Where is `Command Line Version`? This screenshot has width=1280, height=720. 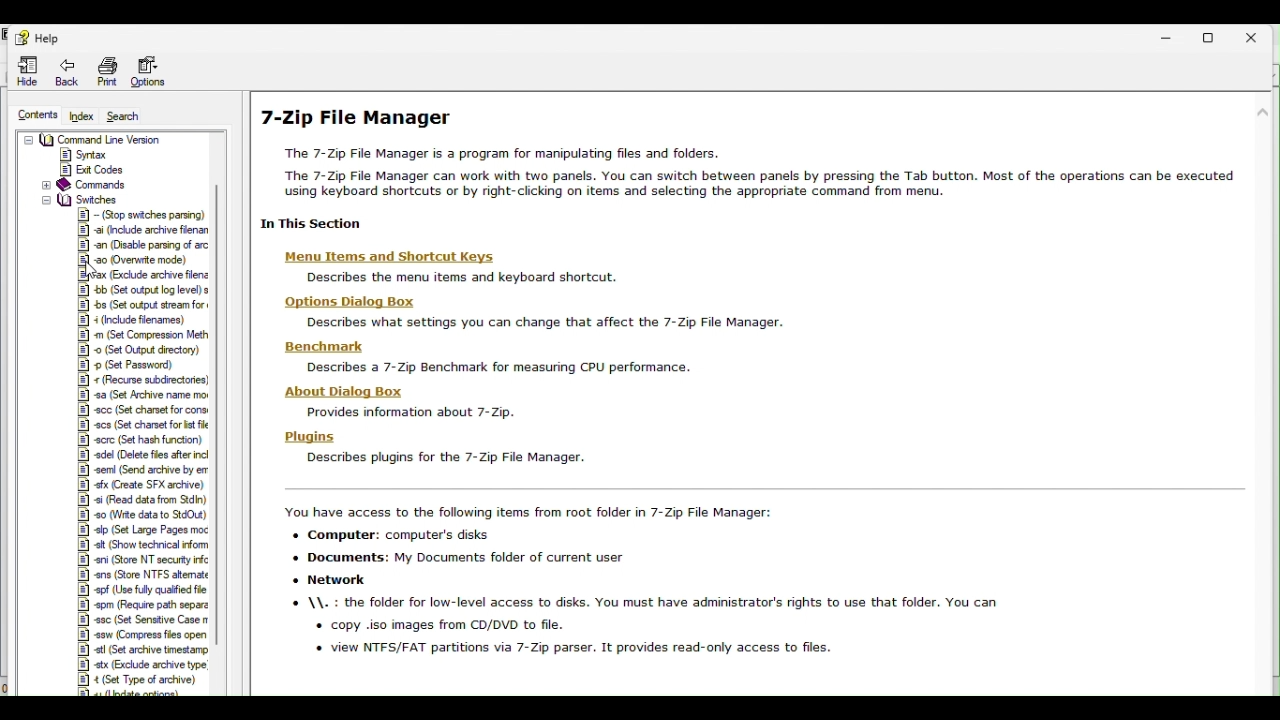 Command Line Version is located at coordinates (122, 138).